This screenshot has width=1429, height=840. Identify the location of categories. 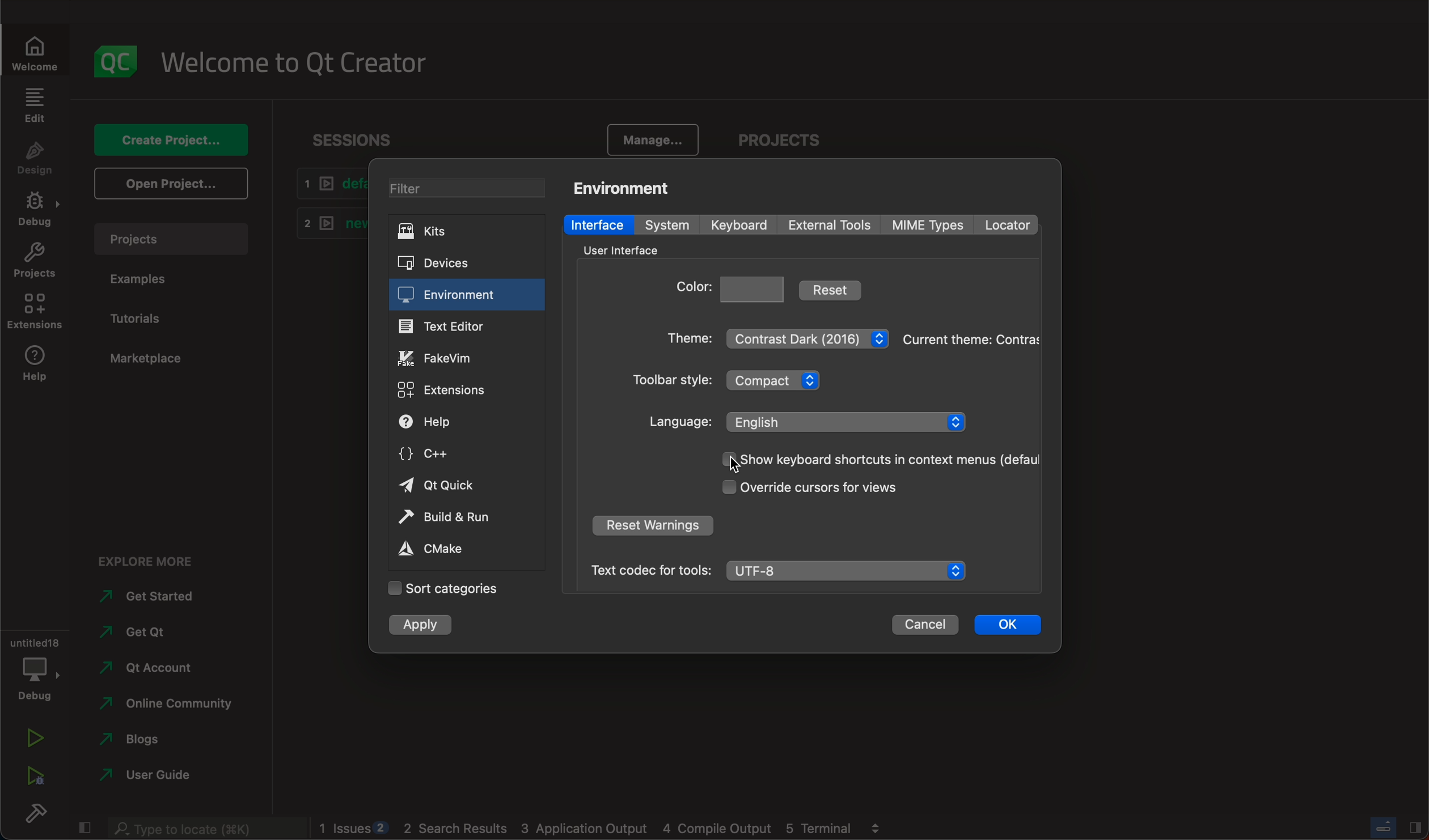
(442, 588).